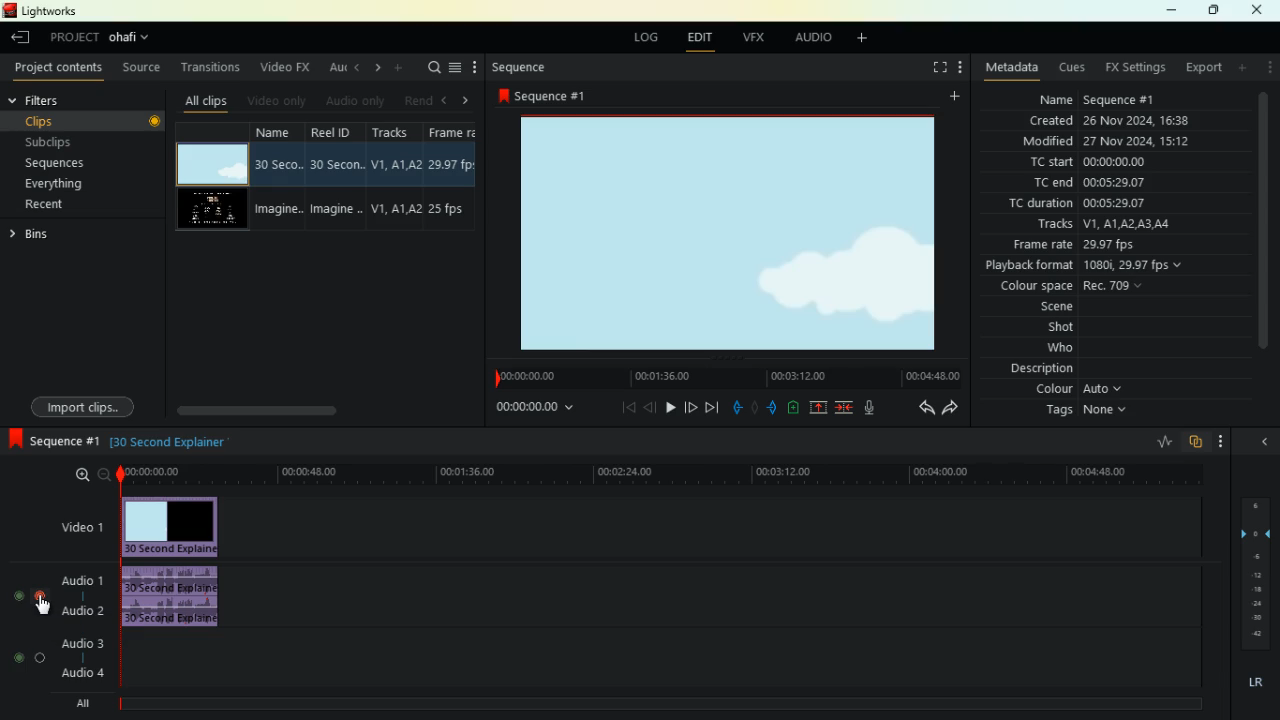 The height and width of the screenshot is (720, 1280). Describe the element at coordinates (642, 39) in the screenshot. I see `log` at that location.